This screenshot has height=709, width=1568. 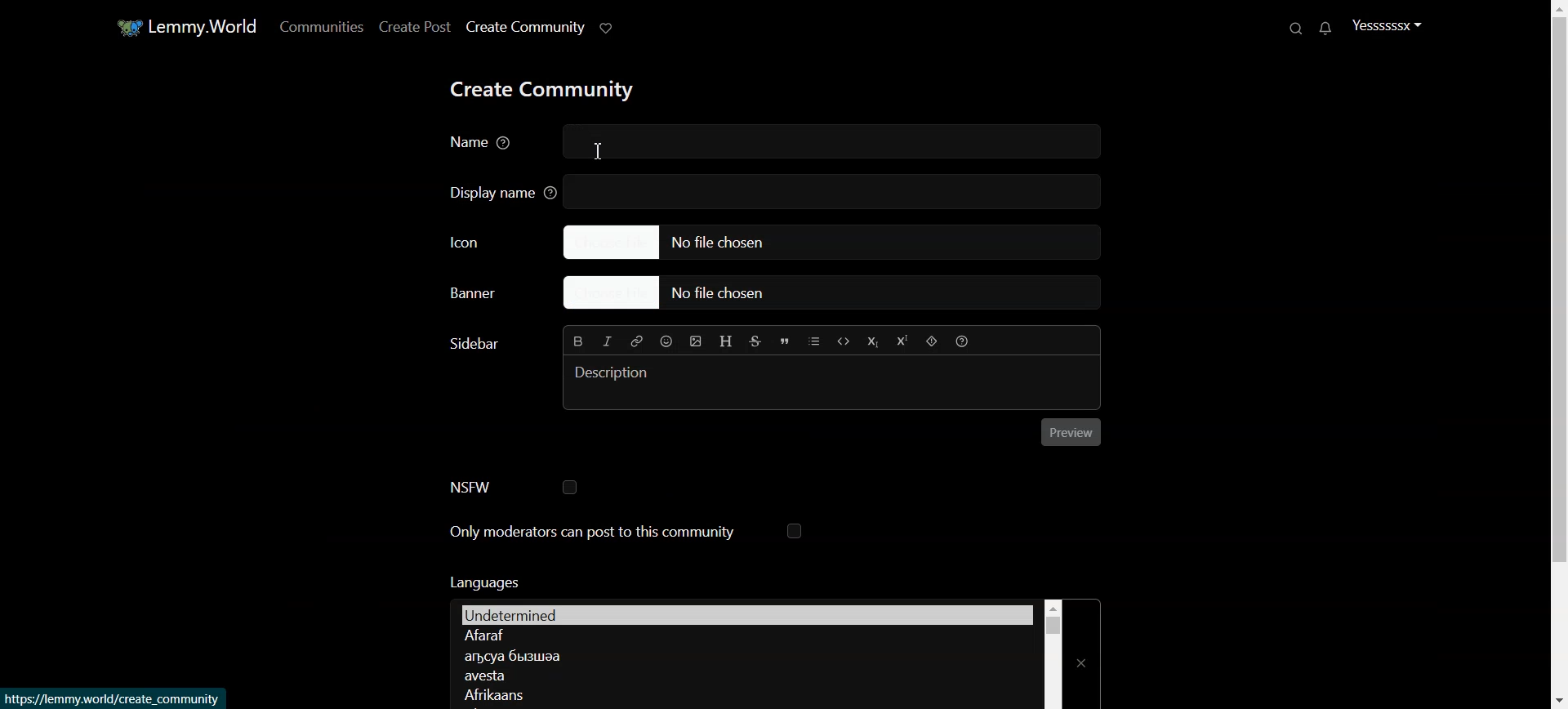 I want to click on Home window, so click(x=185, y=25).